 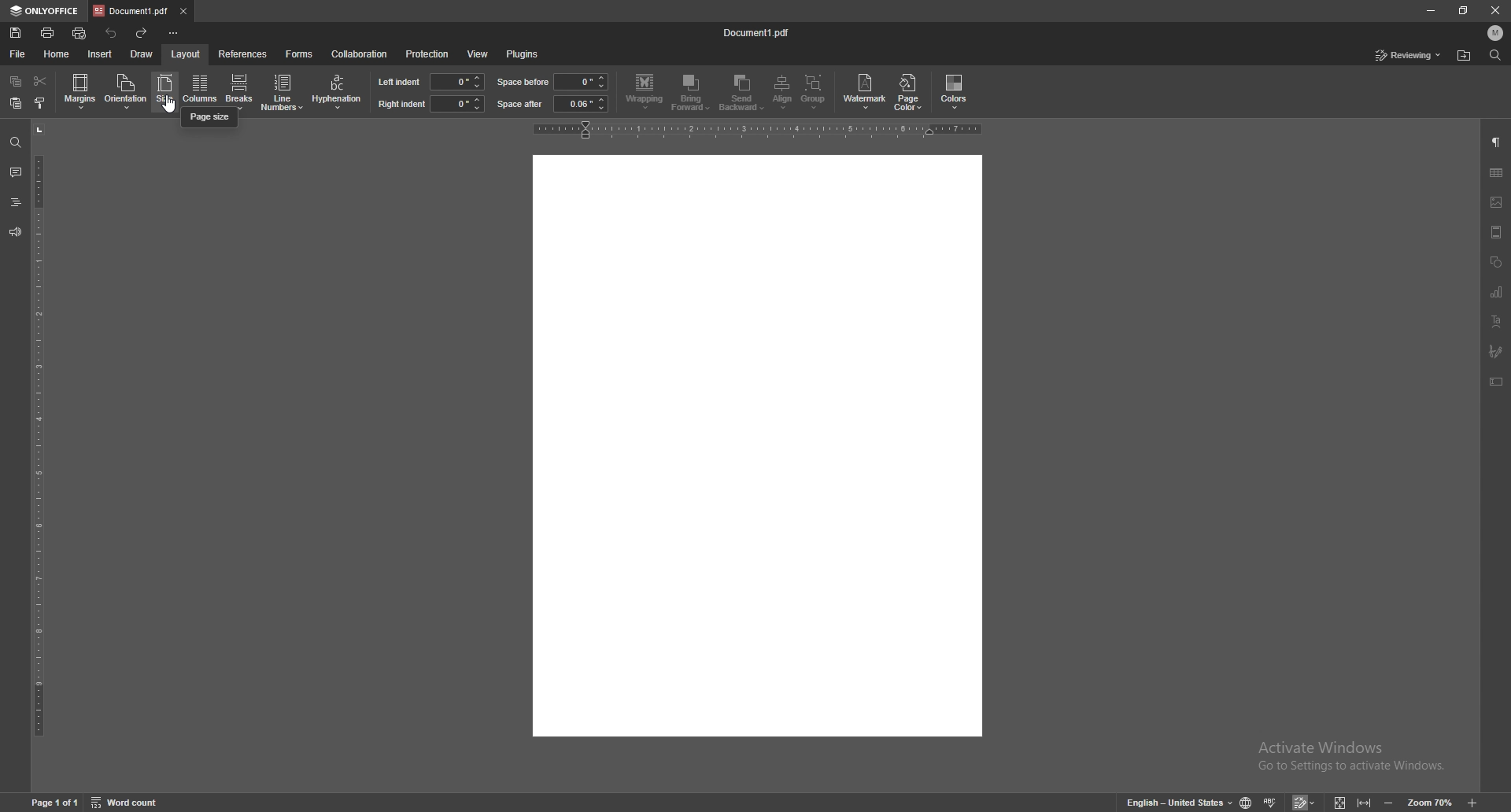 I want to click on quick print, so click(x=80, y=33).